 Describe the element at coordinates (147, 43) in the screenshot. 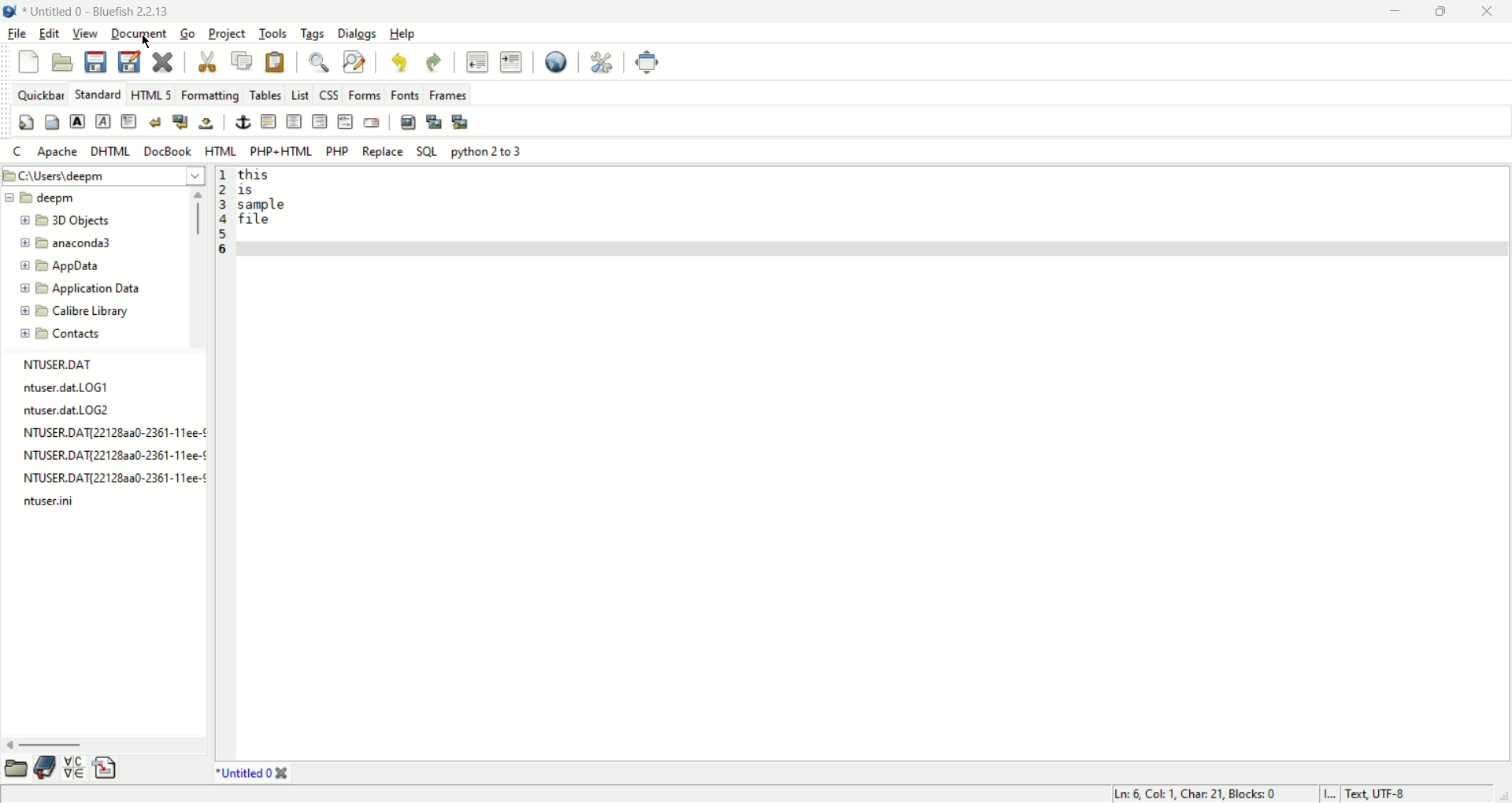

I see `cursor ` at that location.